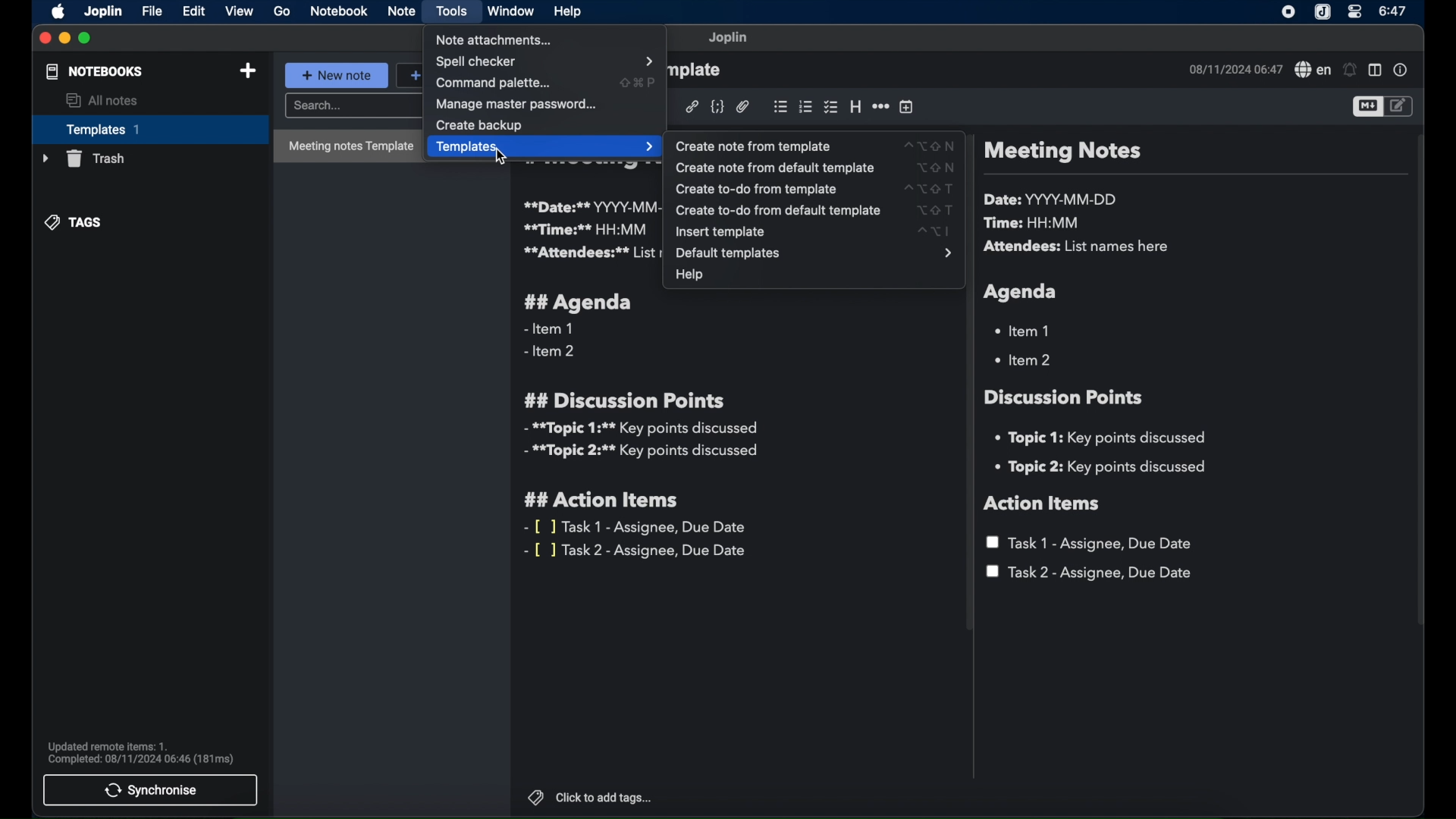 The height and width of the screenshot is (819, 1456). Describe the element at coordinates (1092, 543) in the screenshot. I see `task 1 assignee, due date` at that location.